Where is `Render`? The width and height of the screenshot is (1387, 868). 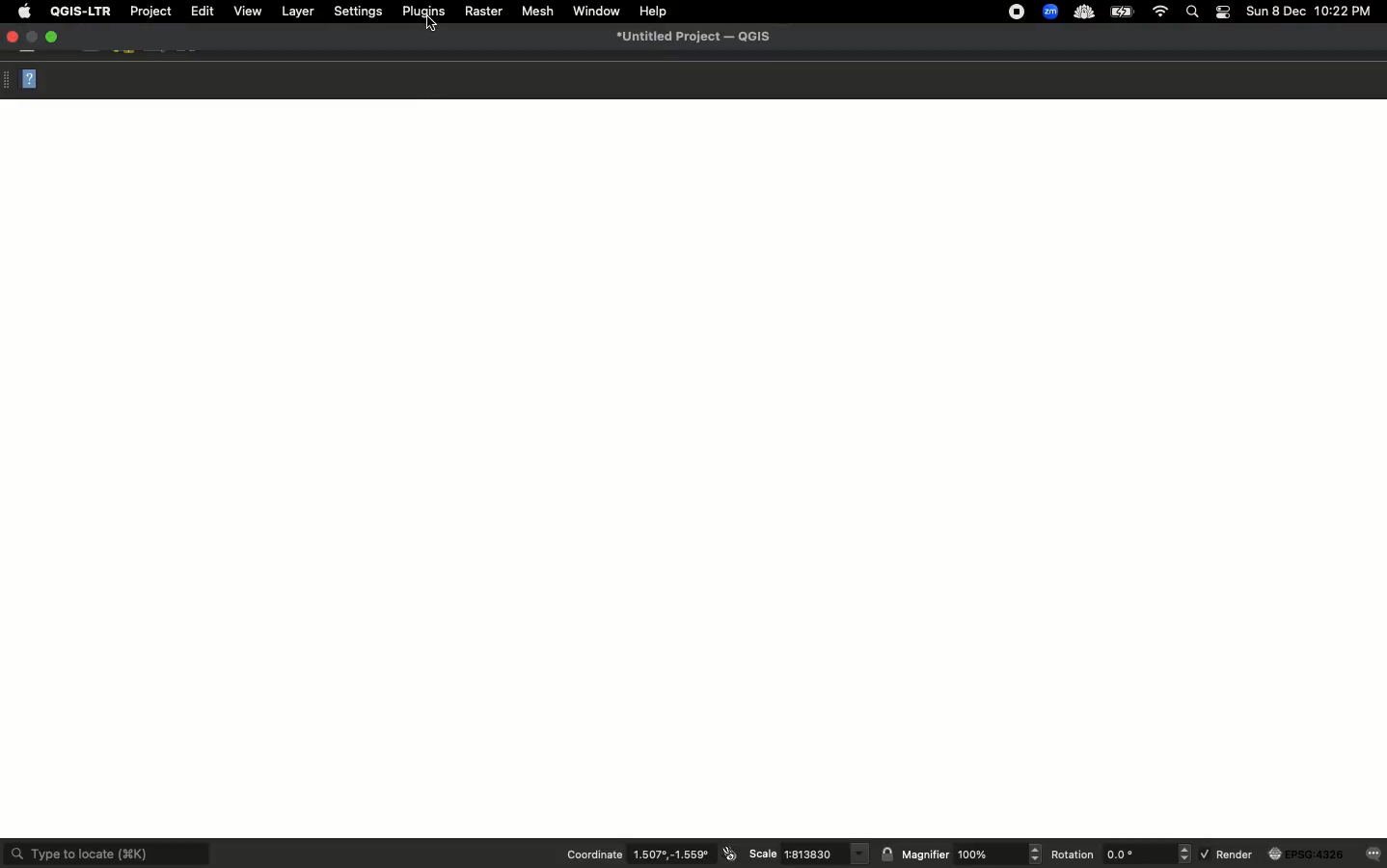 Render is located at coordinates (1227, 853).